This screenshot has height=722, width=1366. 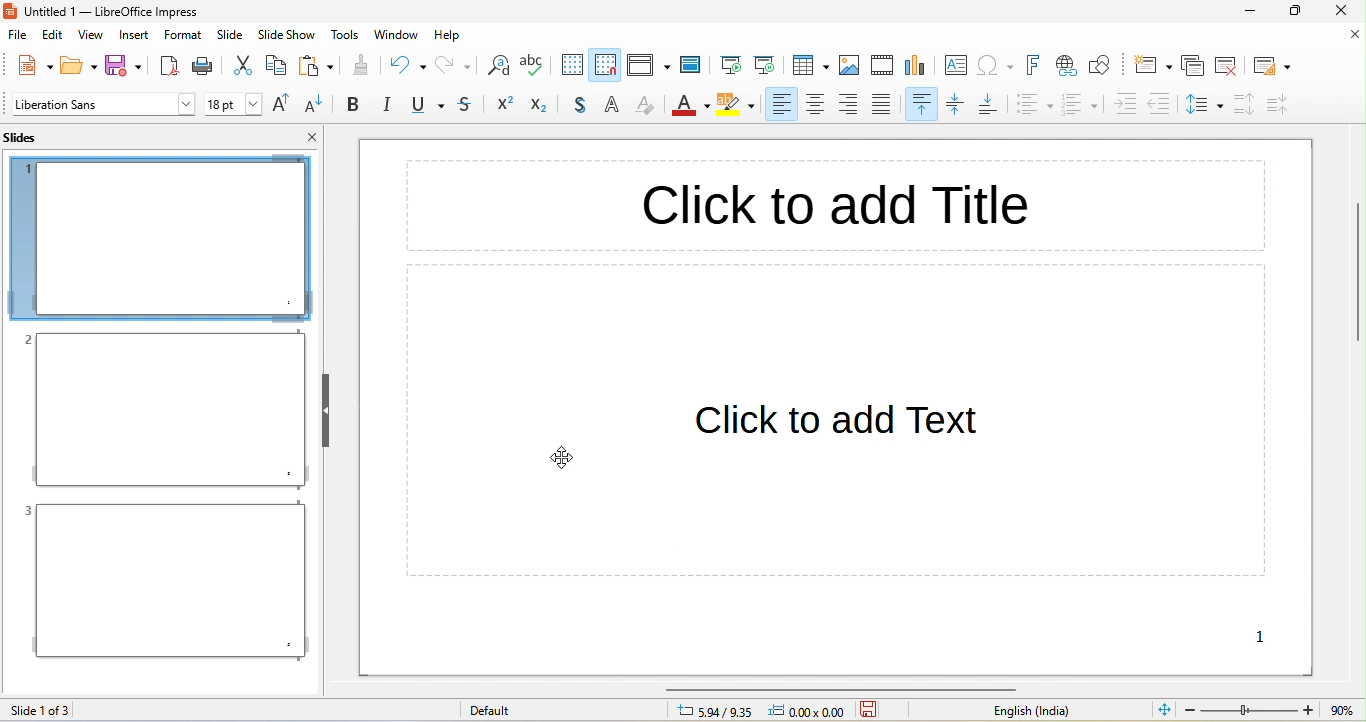 What do you see at coordinates (958, 106) in the screenshot?
I see `center vertically` at bounding box center [958, 106].